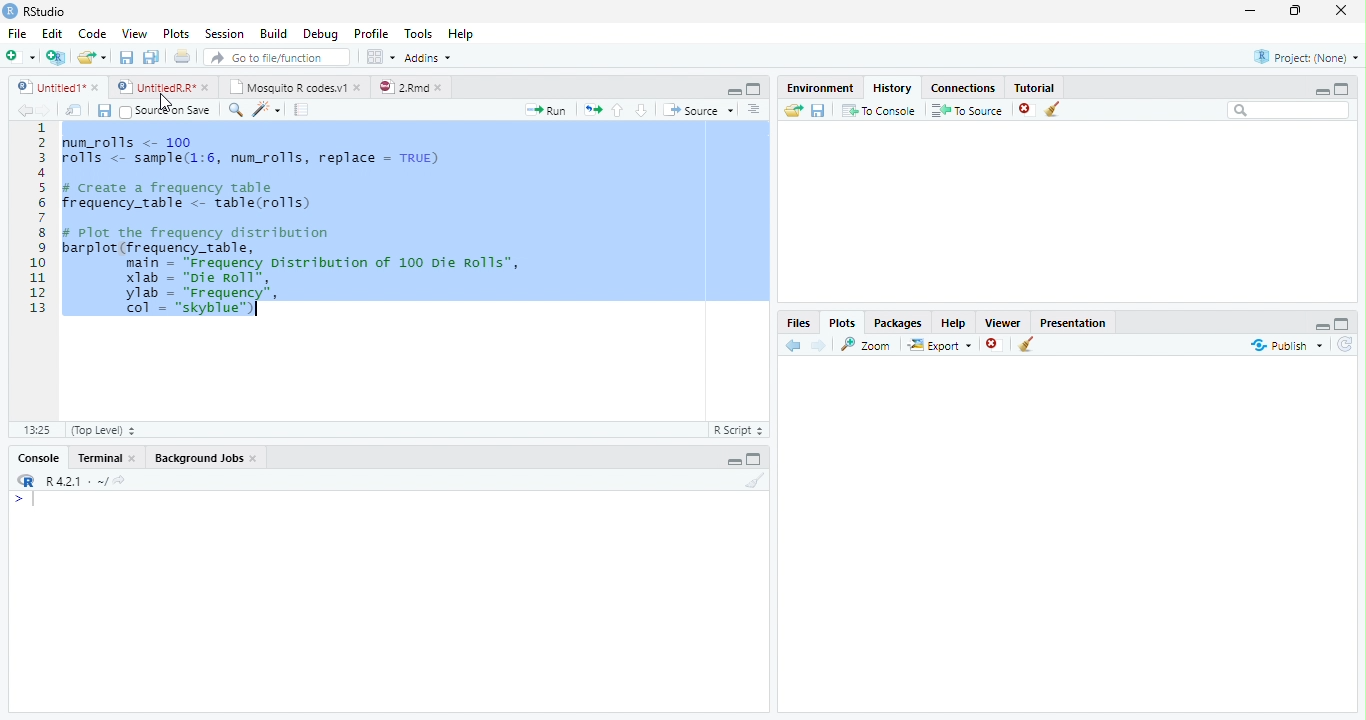 The image size is (1366, 720). Describe the element at coordinates (755, 88) in the screenshot. I see `Full Screen` at that location.